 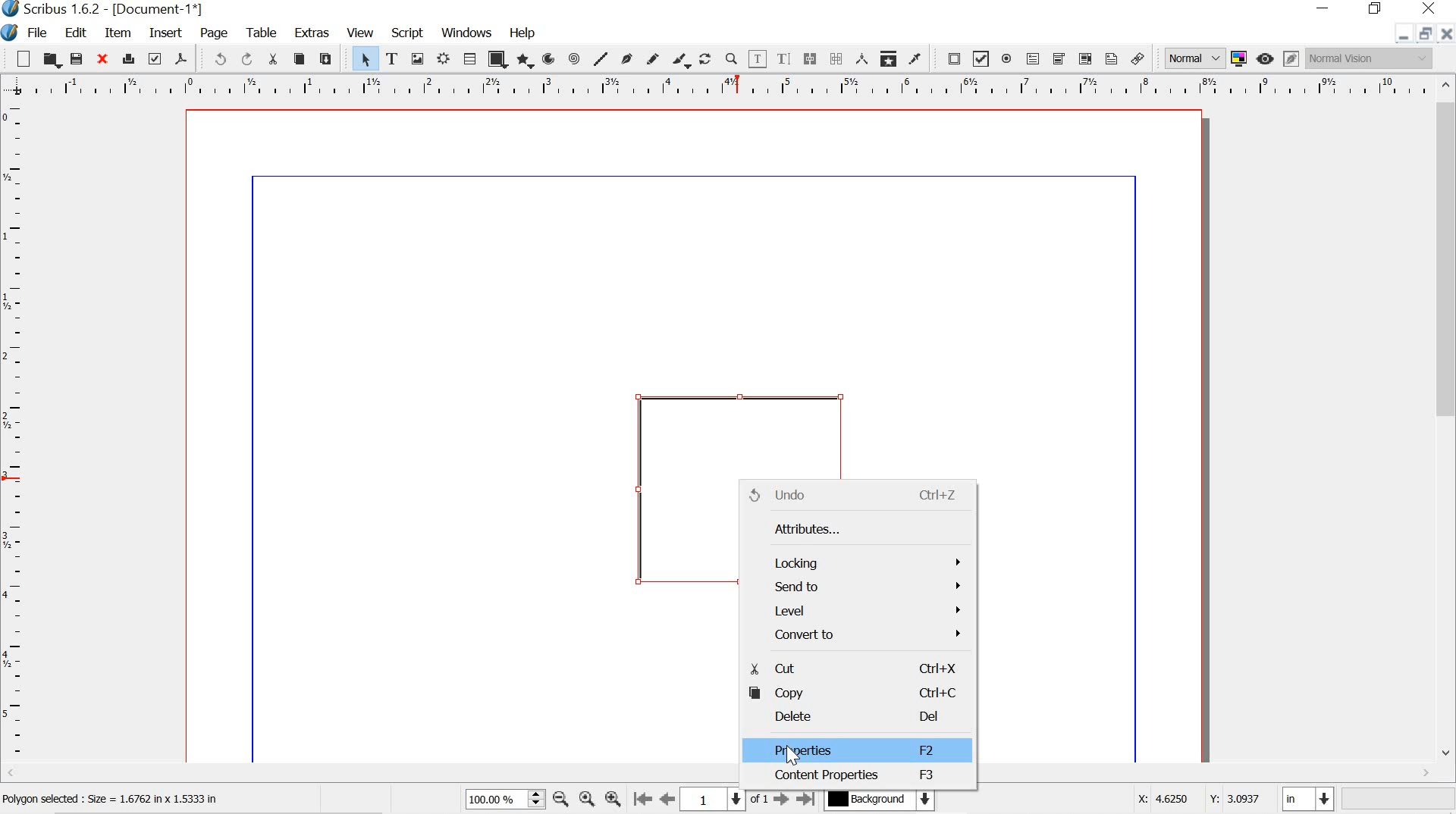 I want to click on freehand line, so click(x=654, y=59).